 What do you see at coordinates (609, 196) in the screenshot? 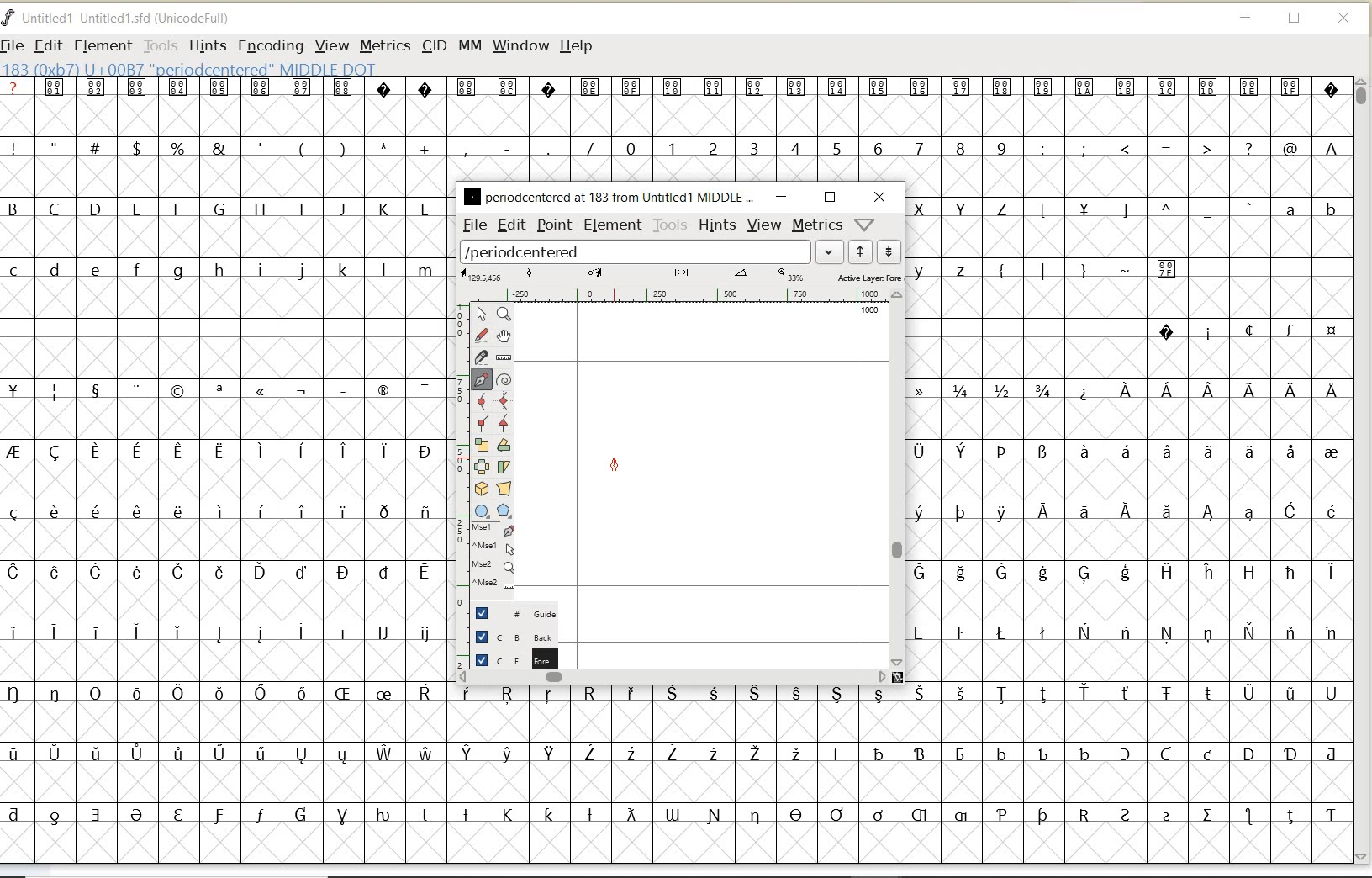
I see `glyph name` at bounding box center [609, 196].